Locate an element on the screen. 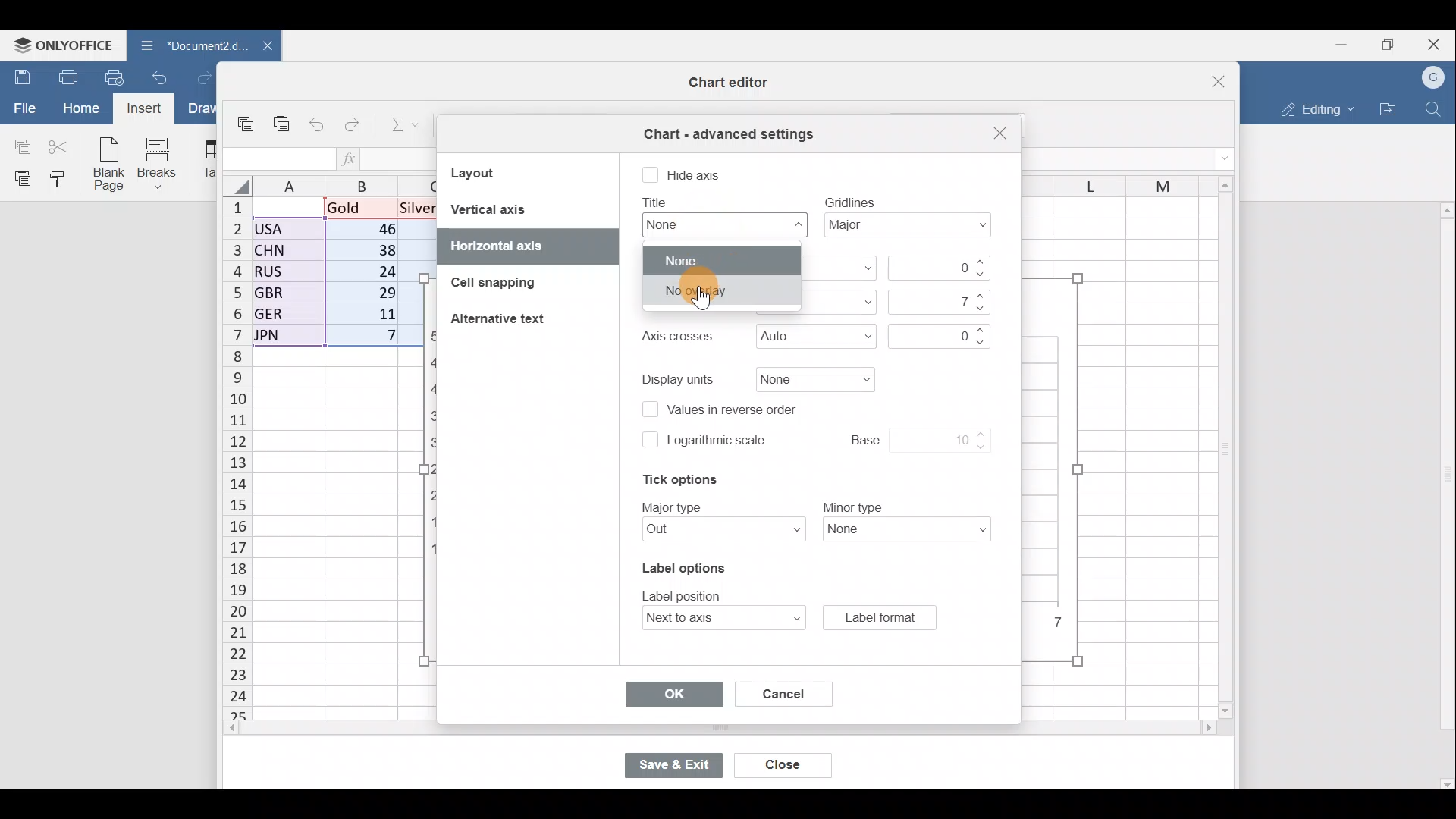 The width and height of the screenshot is (1456, 819). Redo is located at coordinates (352, 121).